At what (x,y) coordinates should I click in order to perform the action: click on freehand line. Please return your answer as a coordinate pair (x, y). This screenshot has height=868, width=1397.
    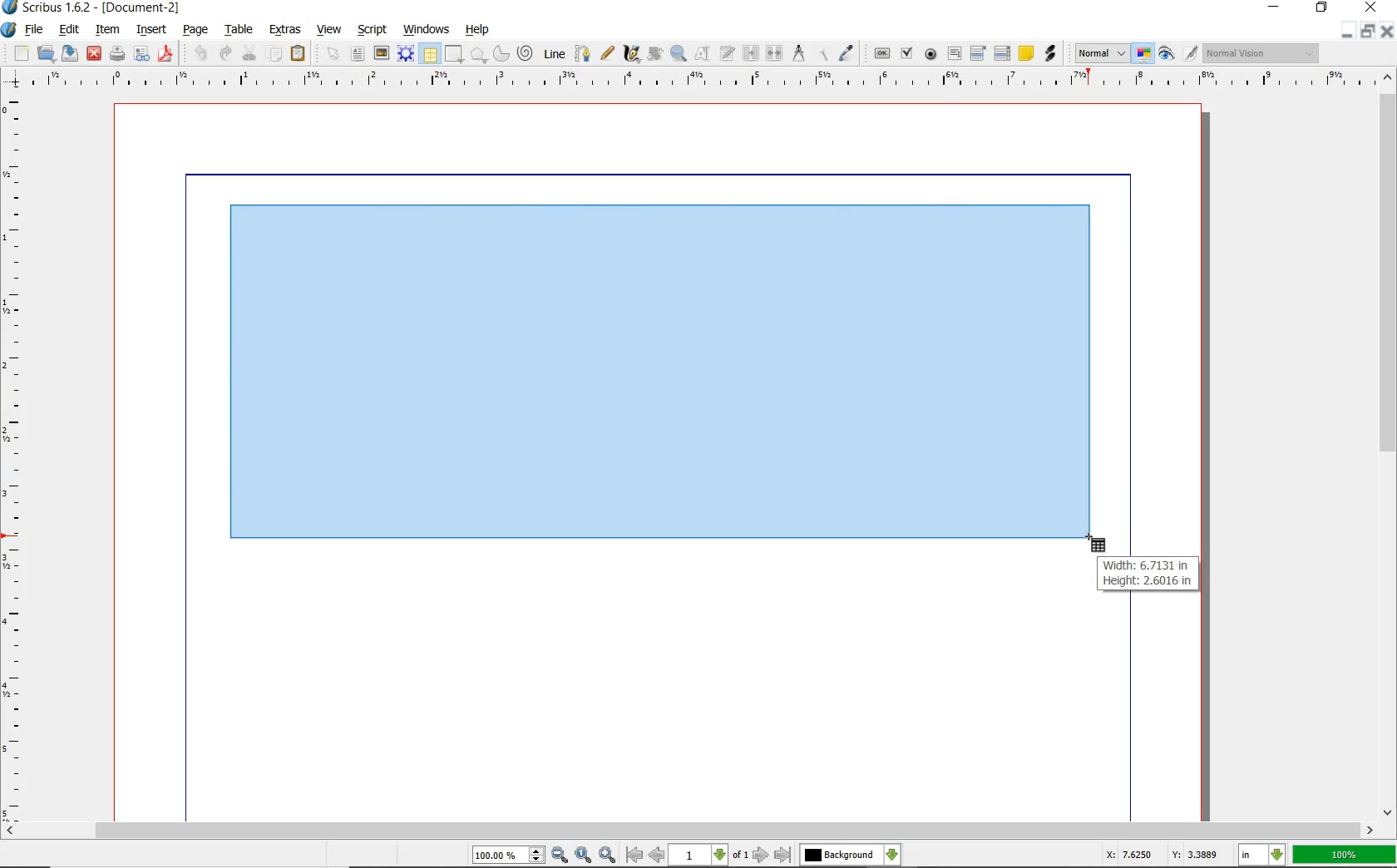
    Looking at the image, I should click on (608, 54).